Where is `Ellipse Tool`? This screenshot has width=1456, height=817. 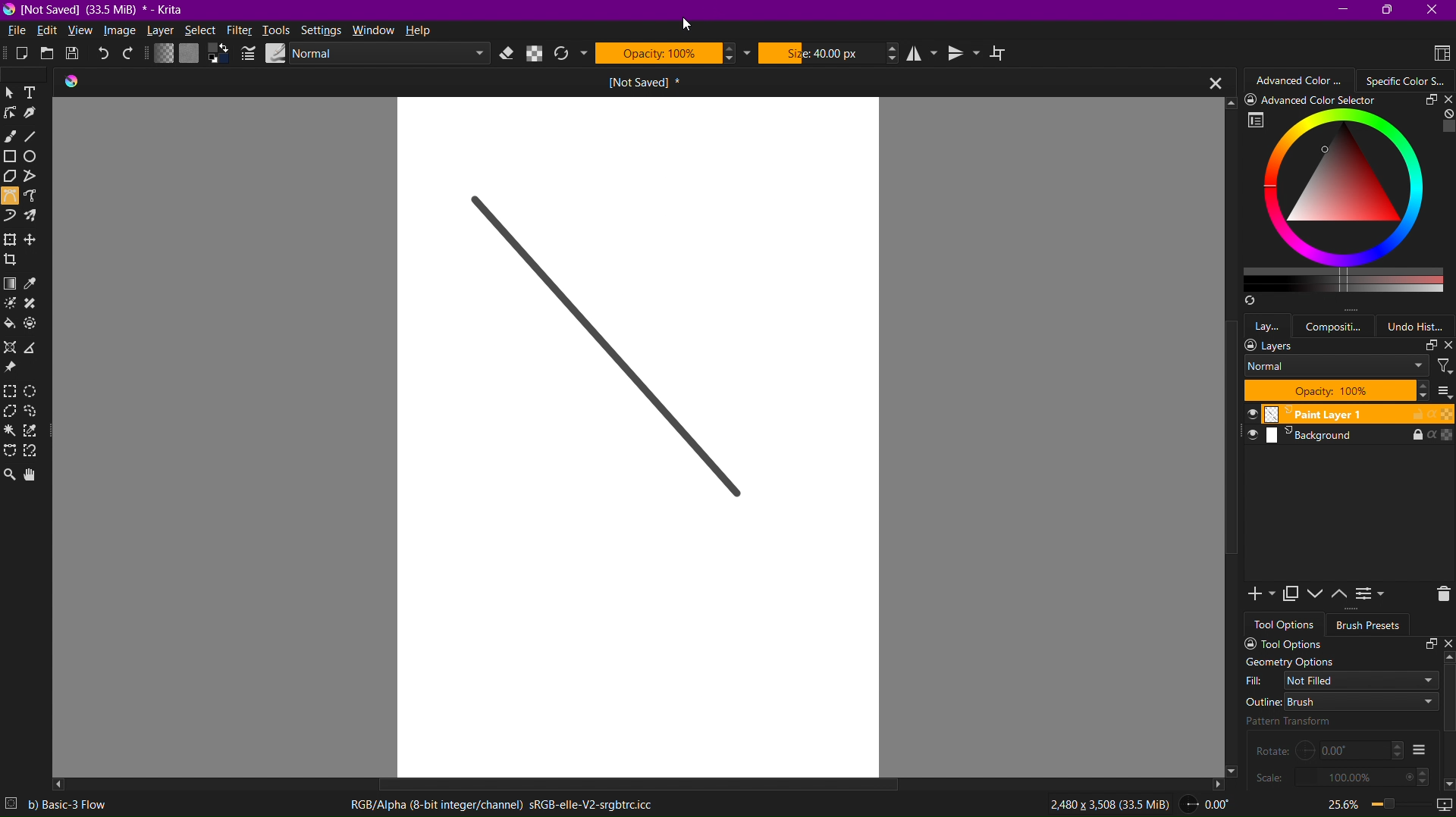
Ellipse Tool is located at coordinates (37, 159).